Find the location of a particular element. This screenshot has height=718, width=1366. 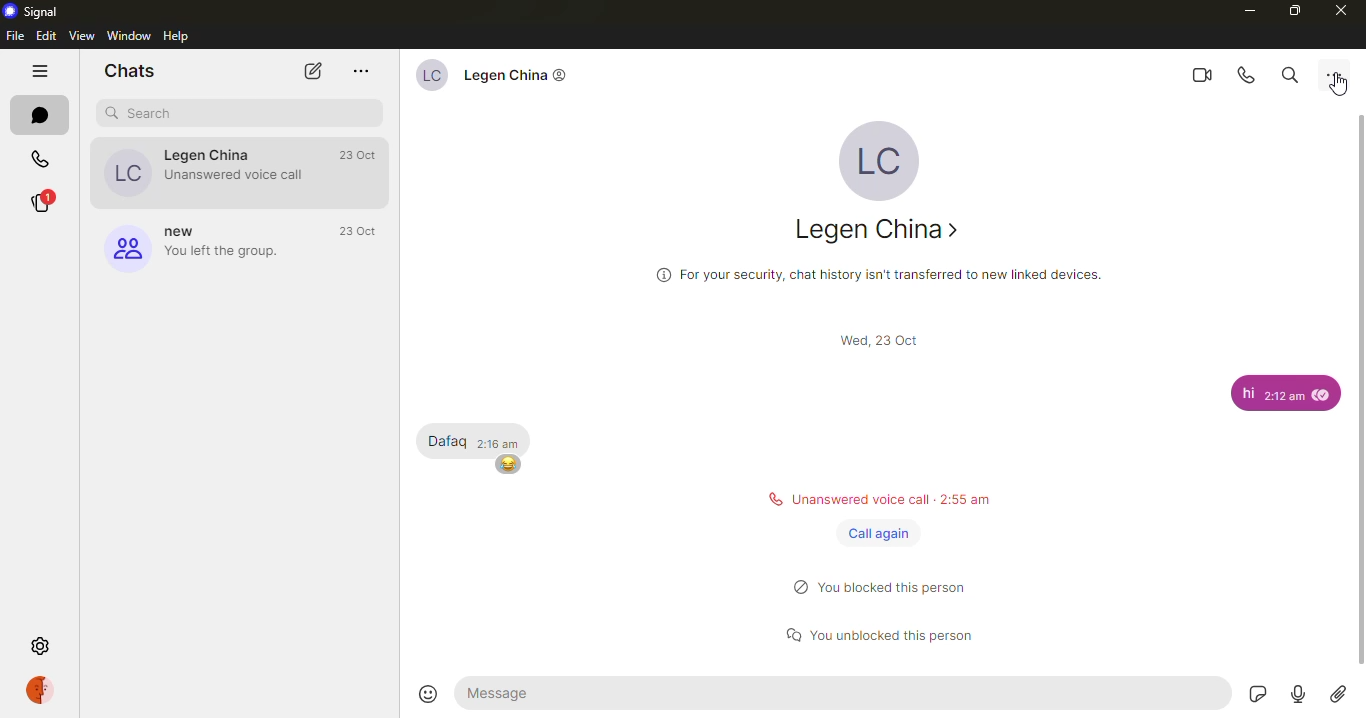

chats is located at coordinates (130, 69).